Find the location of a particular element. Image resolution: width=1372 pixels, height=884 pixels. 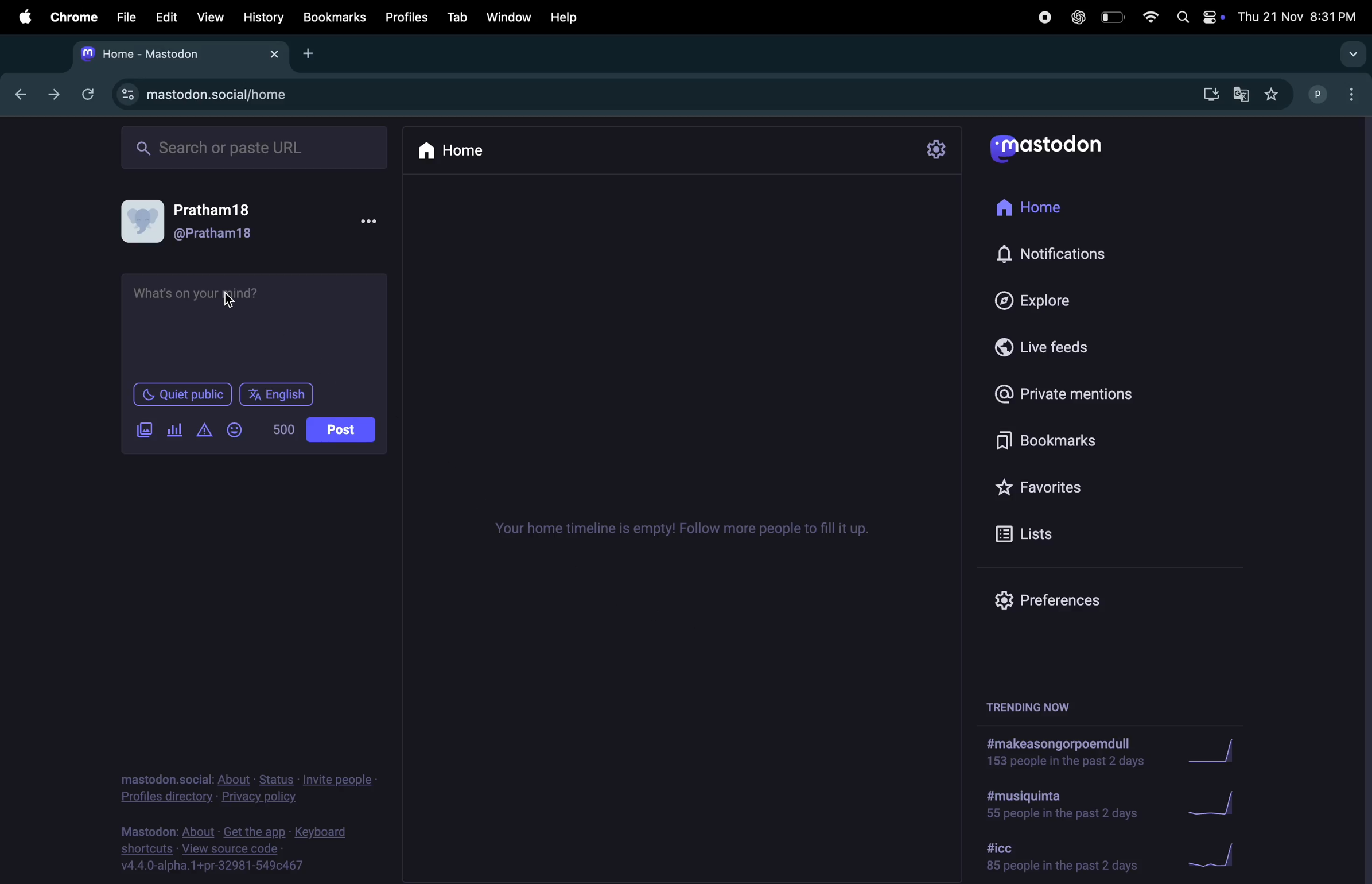

trending now is located at coordinates (1036, 704).